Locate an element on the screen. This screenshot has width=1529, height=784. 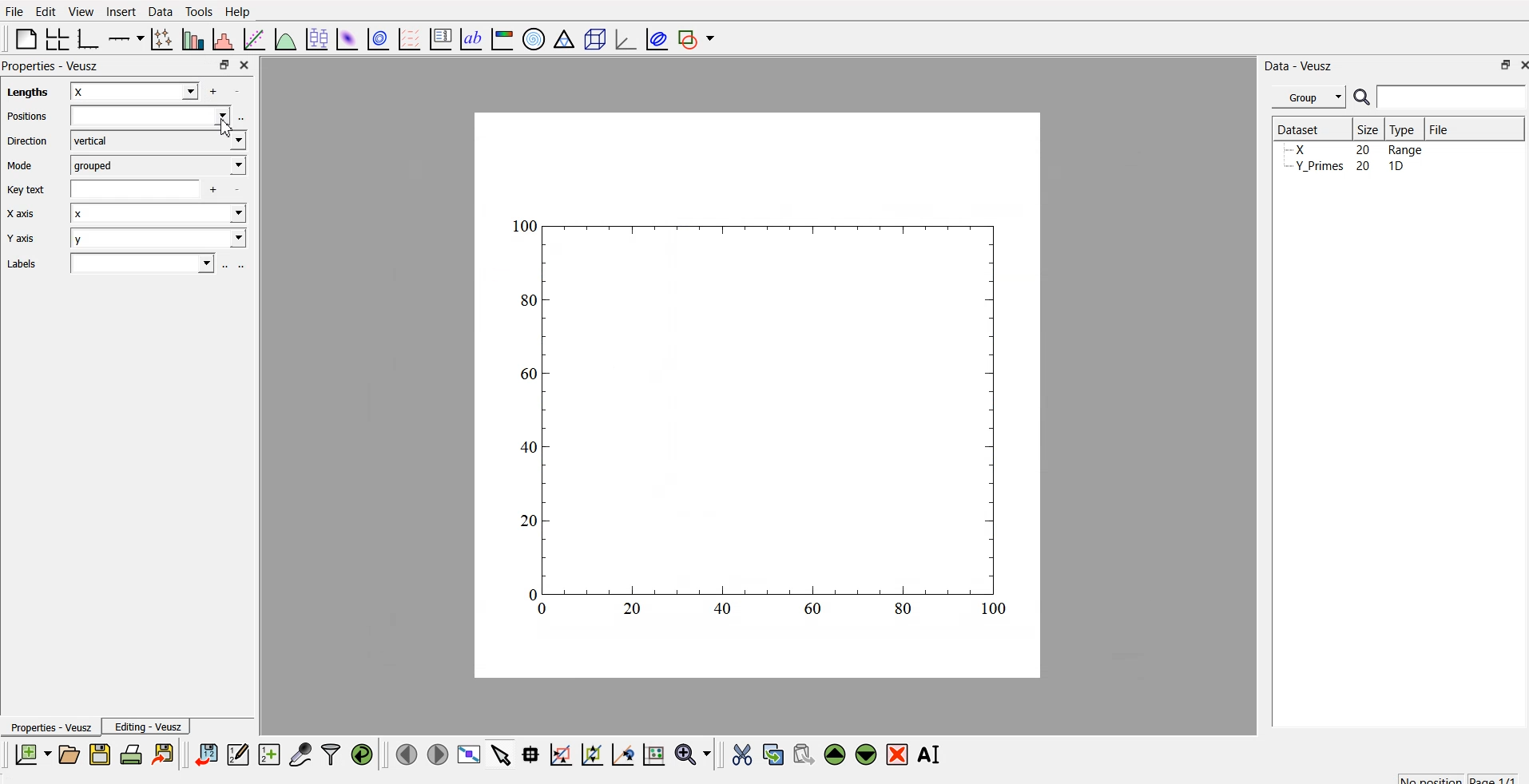
editor is located at coordinates (239, 754).